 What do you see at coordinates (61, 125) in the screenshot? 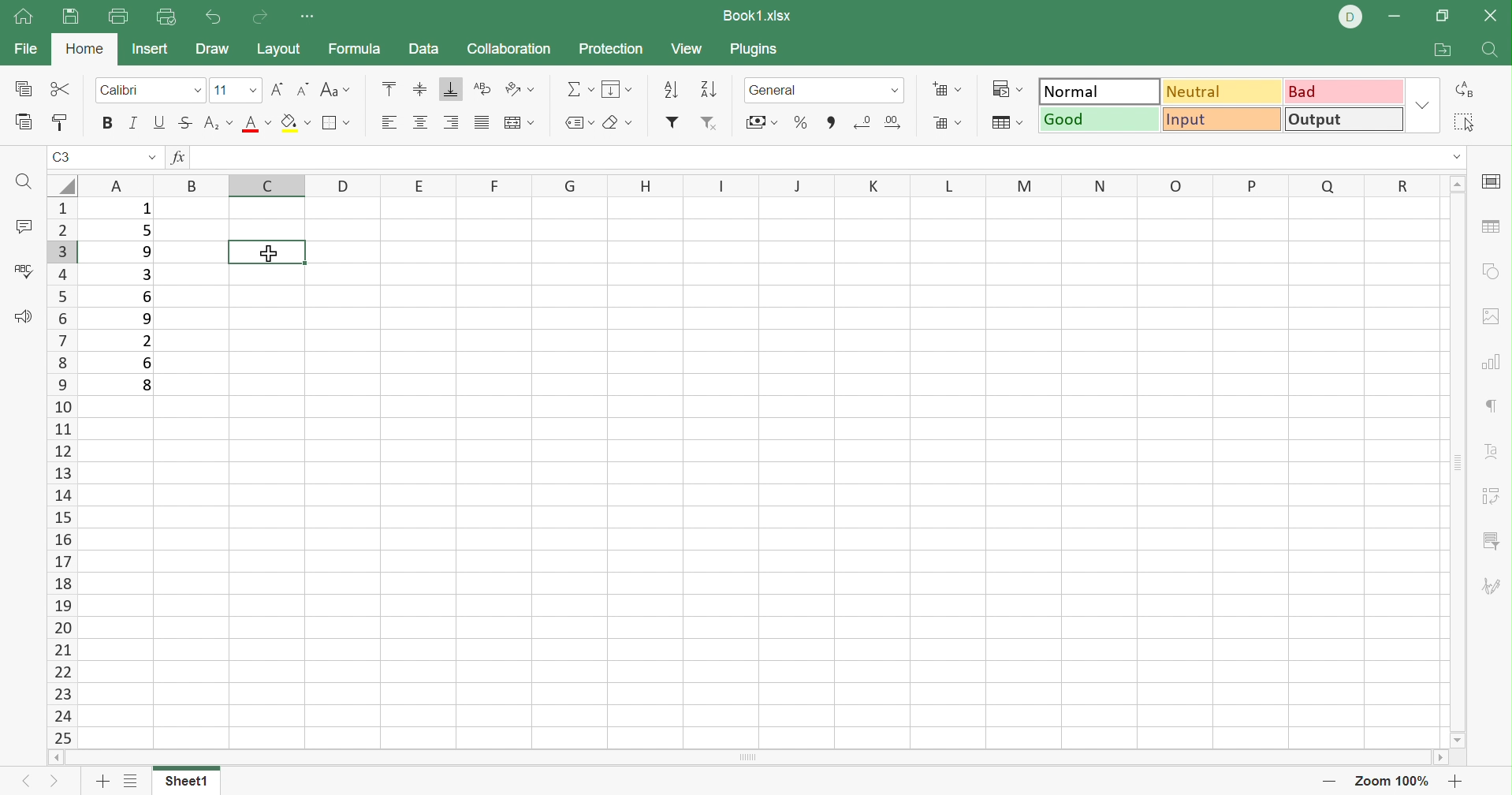
I see `Copy style` at bounding box center [61, 125].